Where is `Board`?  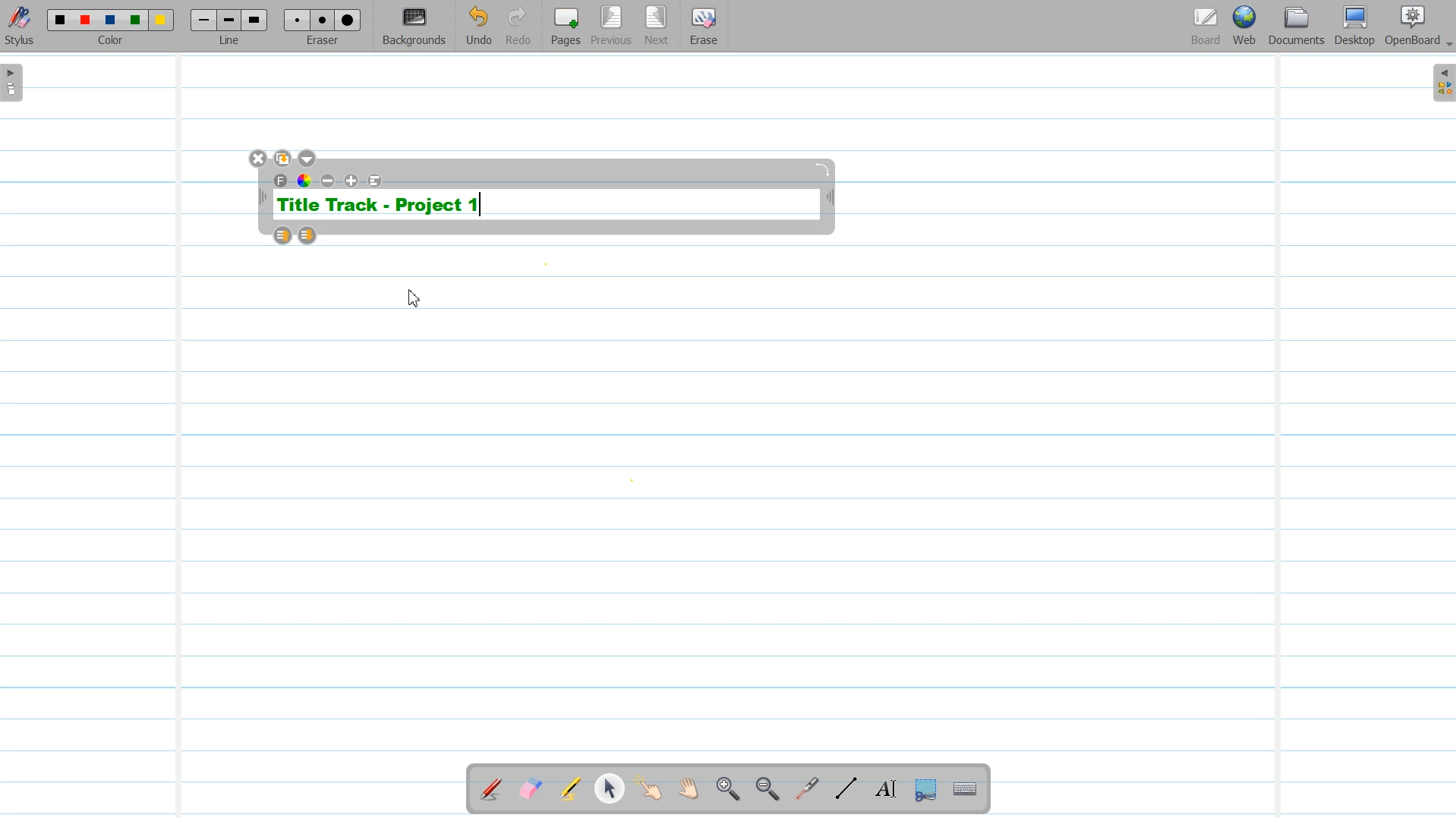
Board is located at coordinates (1205, 27).